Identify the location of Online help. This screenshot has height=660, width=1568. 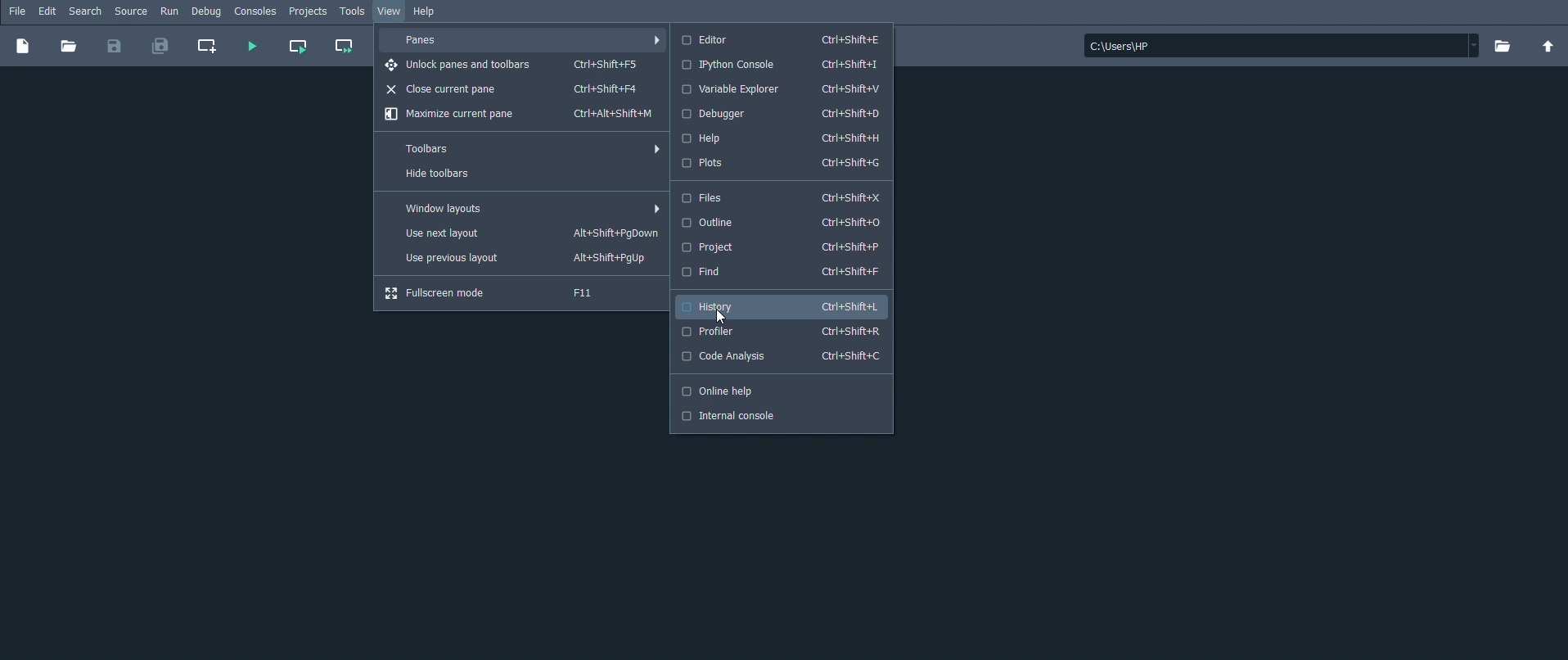
(782, 391).